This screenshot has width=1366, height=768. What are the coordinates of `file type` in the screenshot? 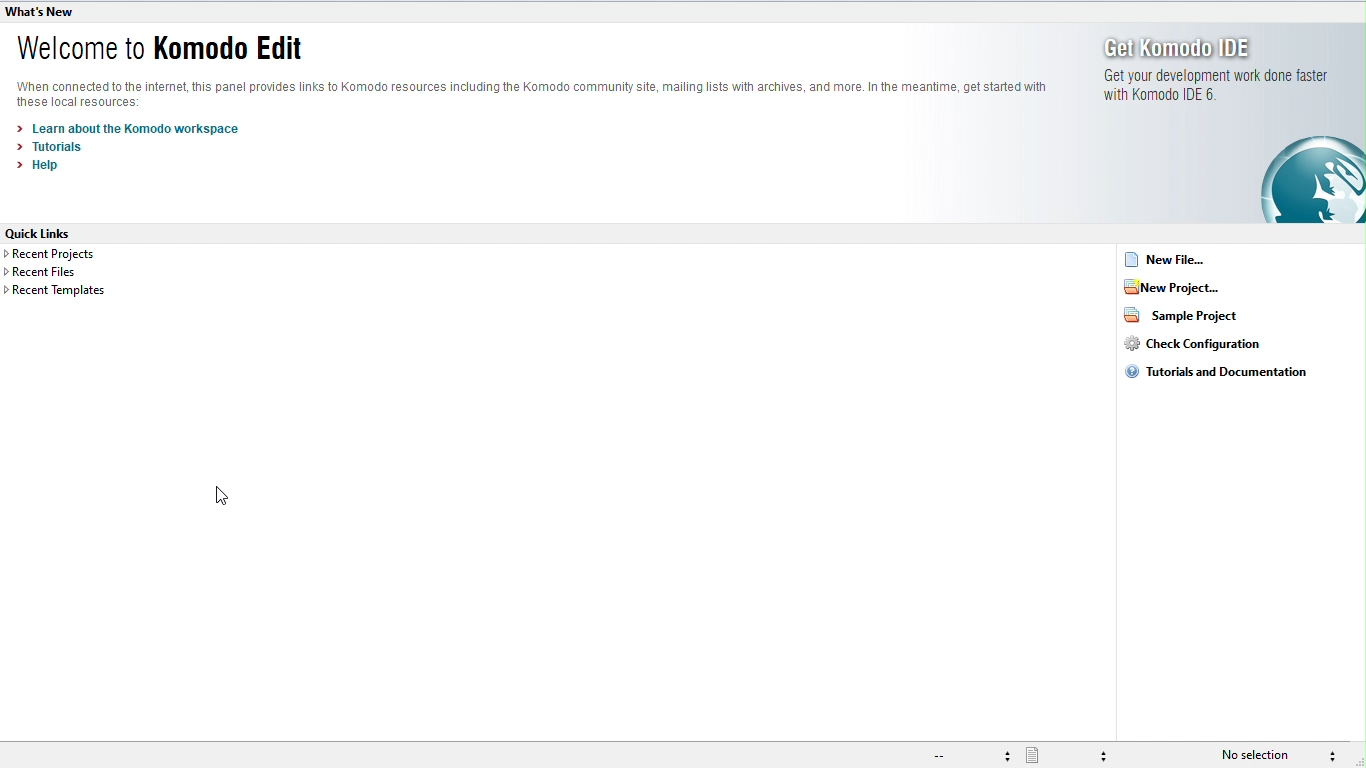 It's located at (1071, 755).